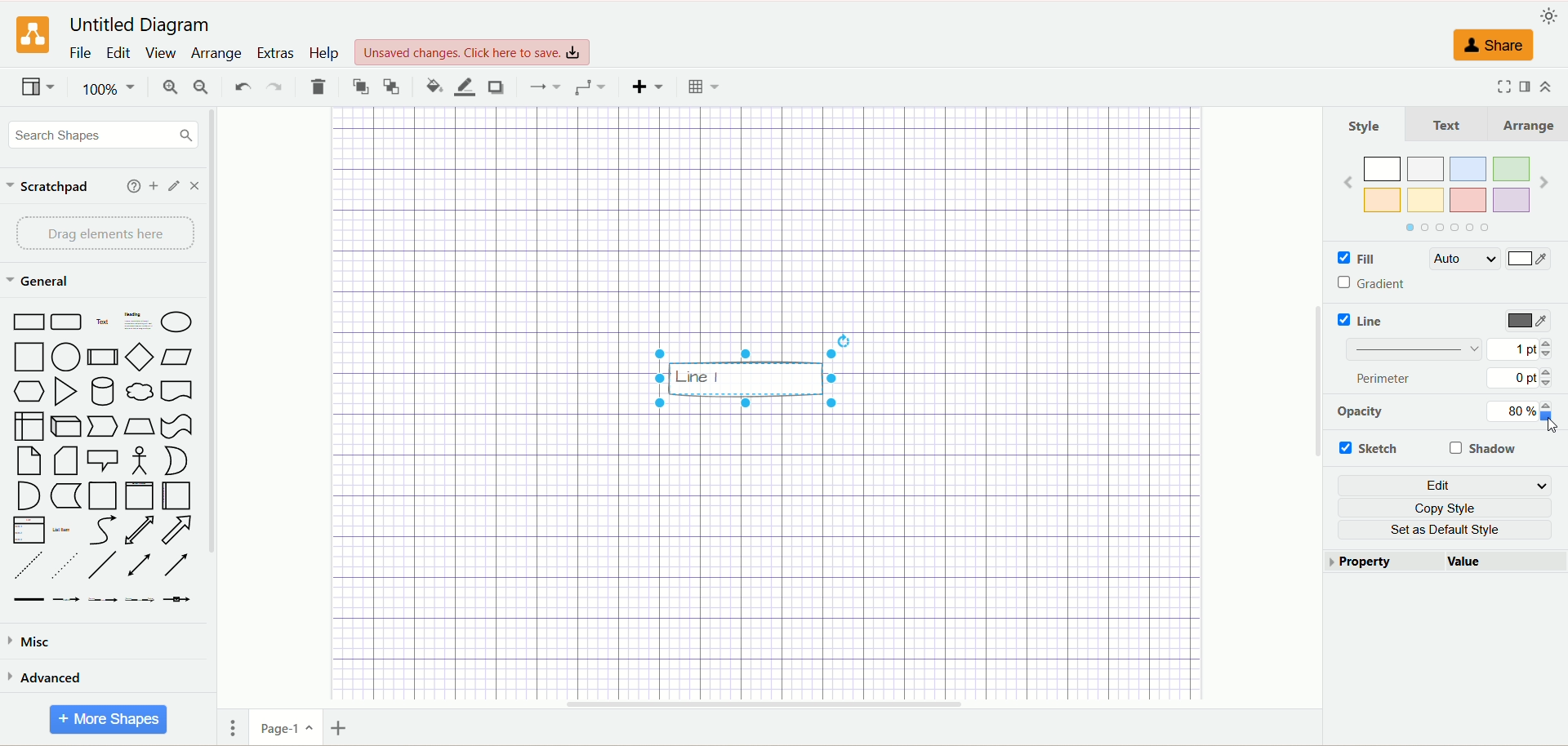  Describe the element at coordinates (140, 496) in the screenshot. I see `Vertical Container` at that location.